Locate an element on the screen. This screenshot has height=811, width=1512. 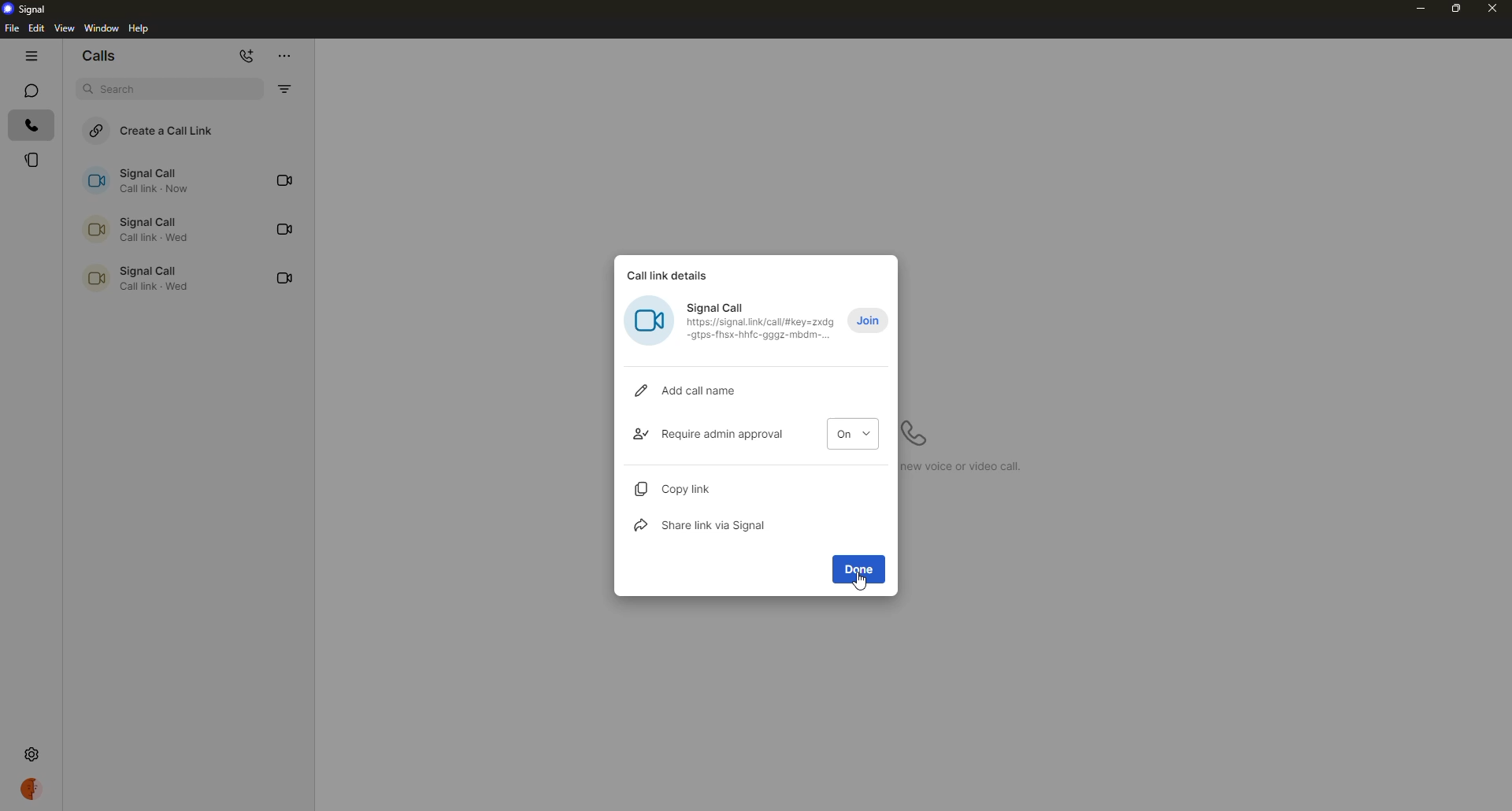
file is located at coordinates (12, 30).